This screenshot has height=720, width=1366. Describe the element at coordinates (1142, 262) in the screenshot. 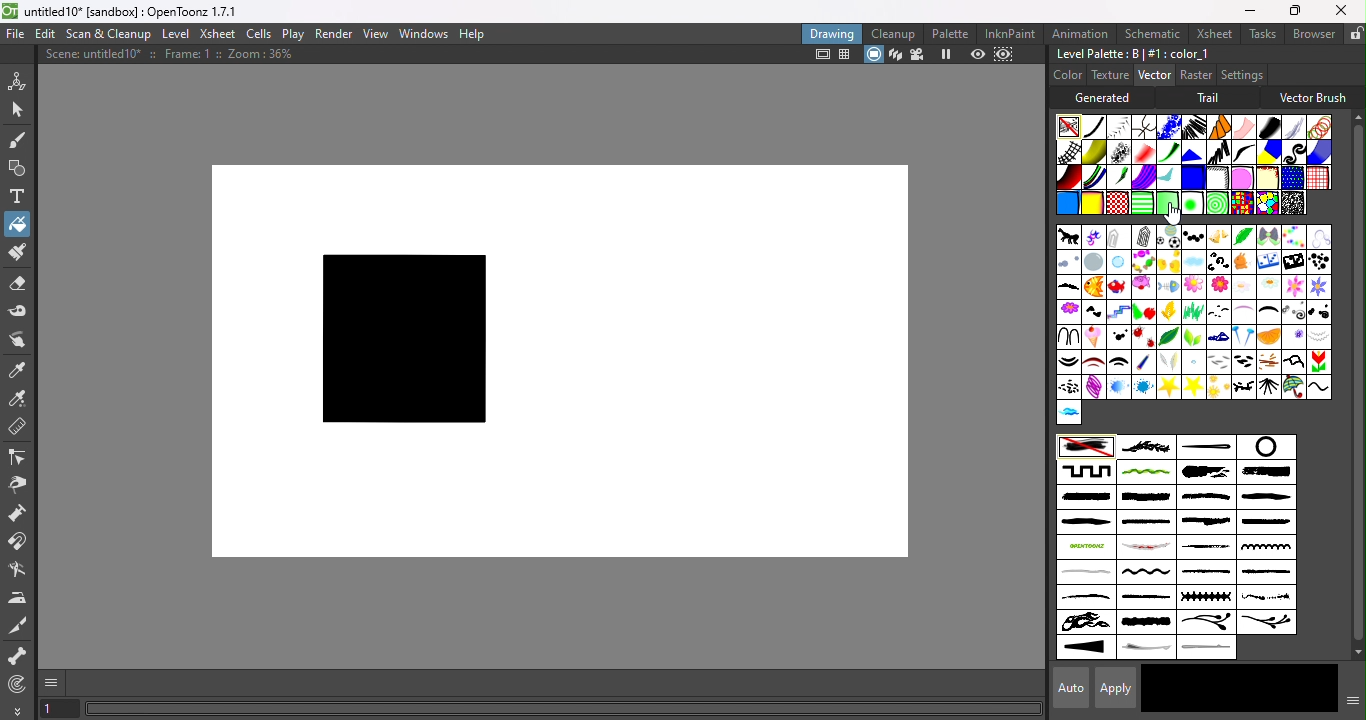

I see `Candy` at that location.